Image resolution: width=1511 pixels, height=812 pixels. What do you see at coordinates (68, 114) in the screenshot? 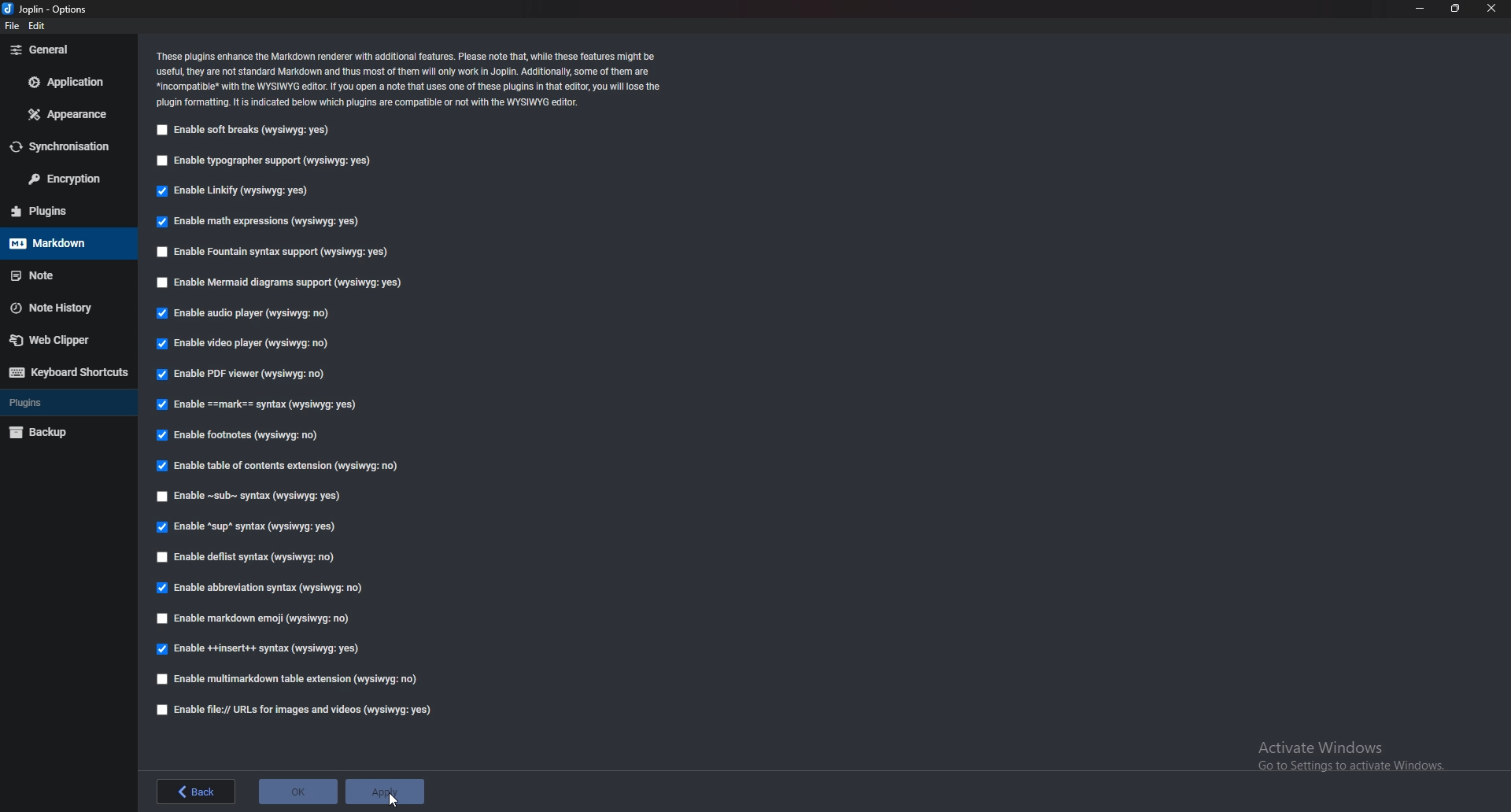
I see `Appearance` at bounding box center [68, 114].